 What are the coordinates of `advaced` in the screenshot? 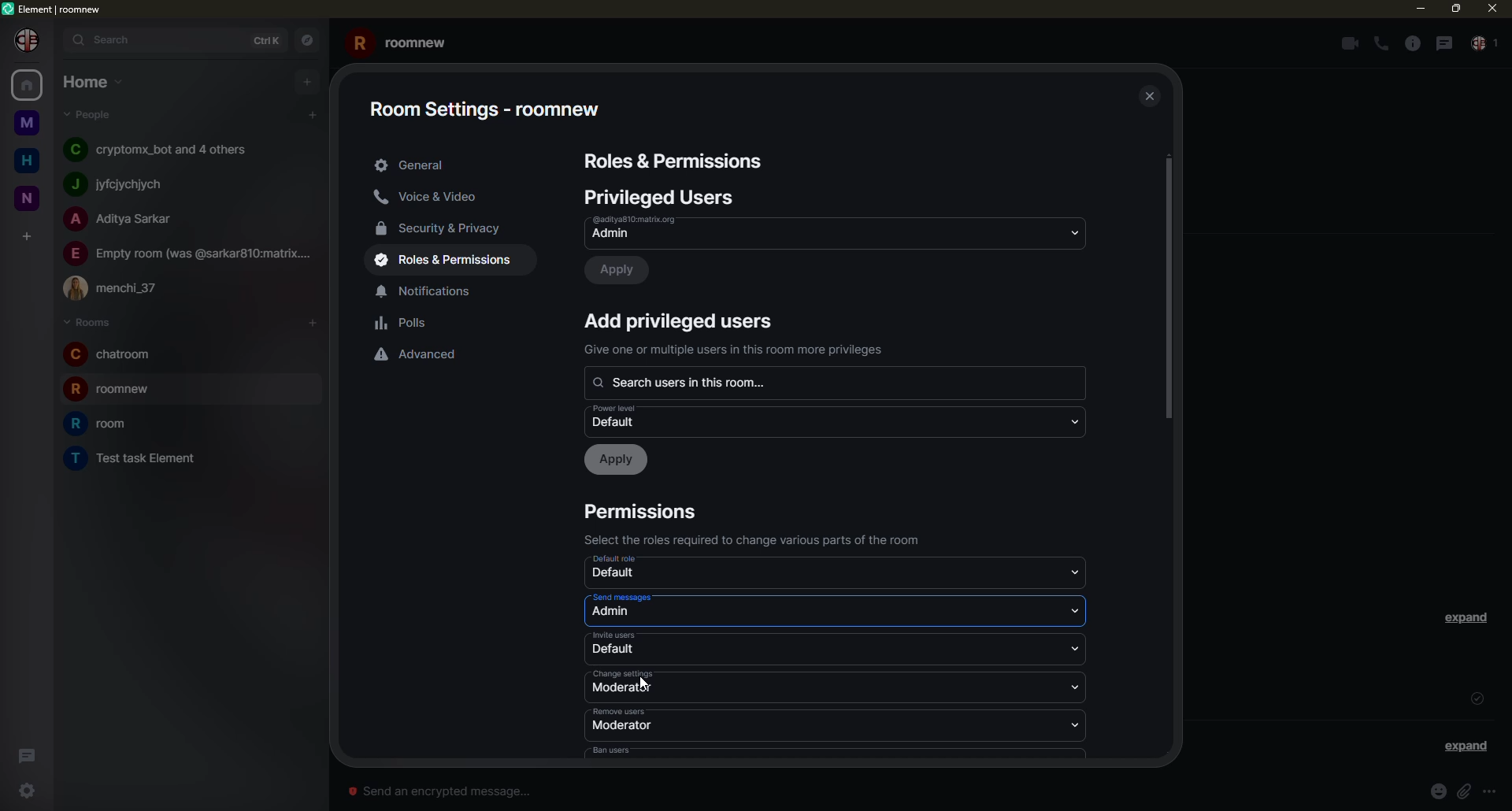 It's located at (421, 354).